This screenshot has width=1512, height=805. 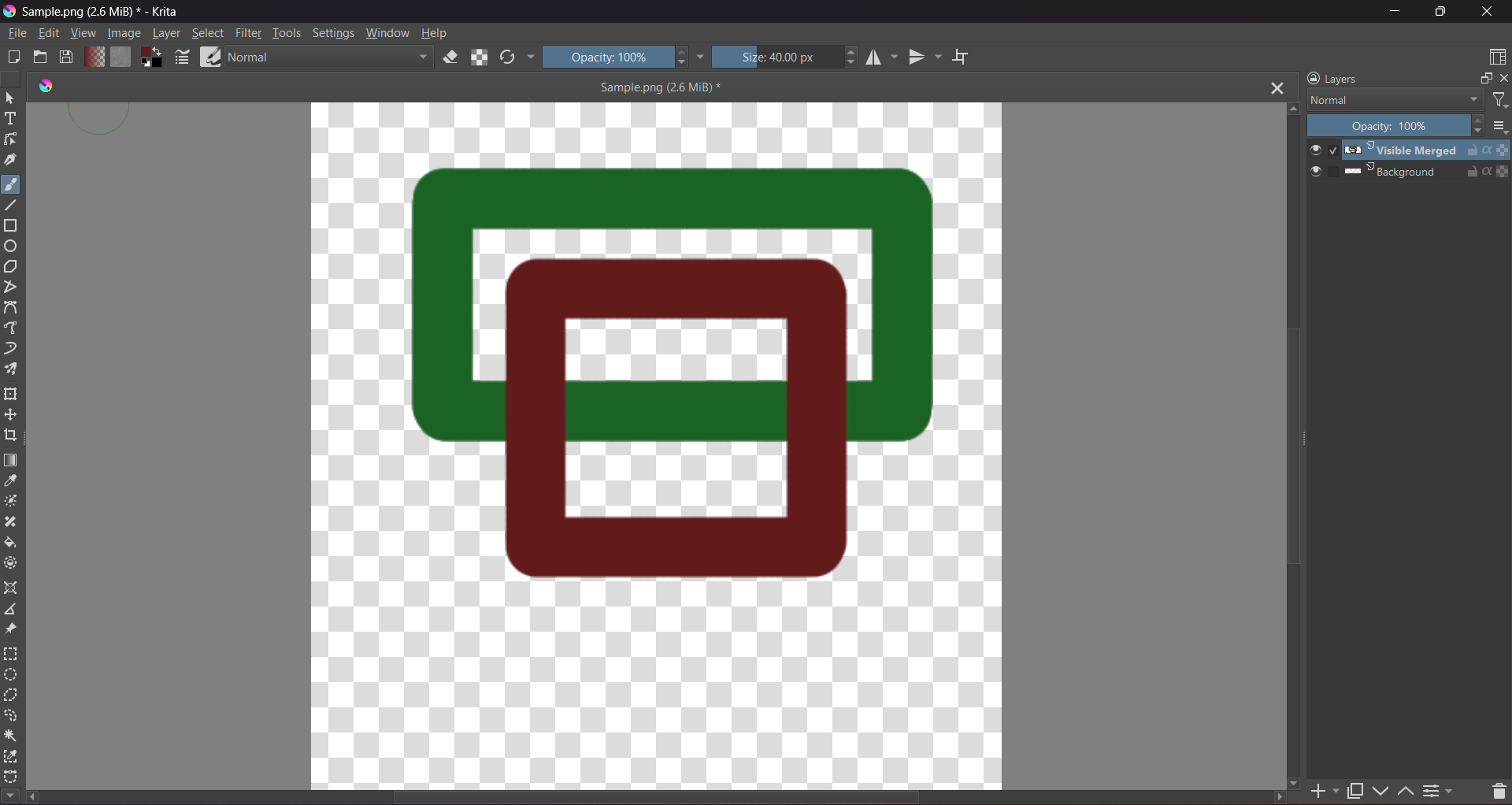 I want to click on Choose Workspace, so click(x=1495, y=58).